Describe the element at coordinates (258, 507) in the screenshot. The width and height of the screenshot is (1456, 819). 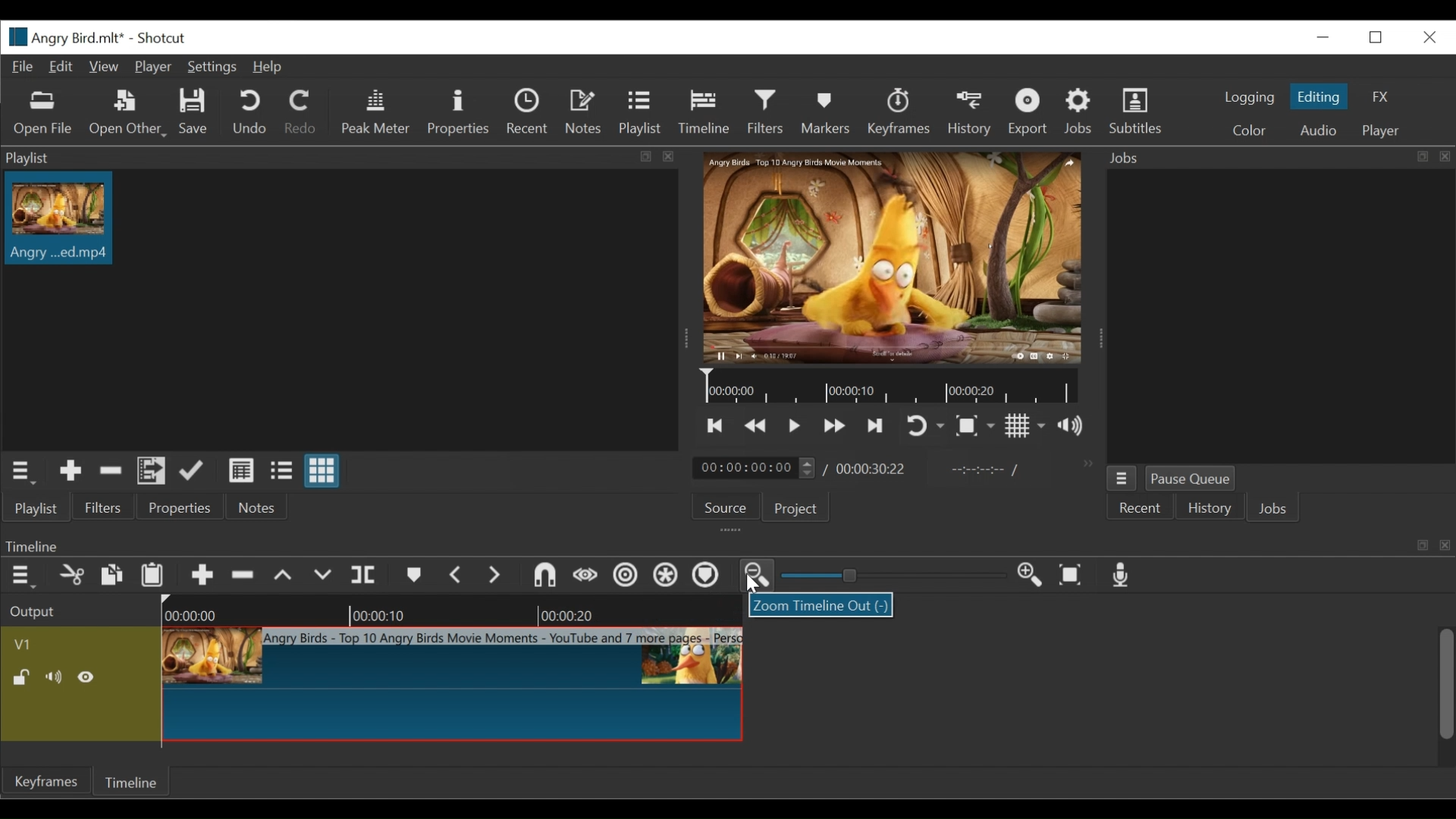
I see `Notes` at that location.